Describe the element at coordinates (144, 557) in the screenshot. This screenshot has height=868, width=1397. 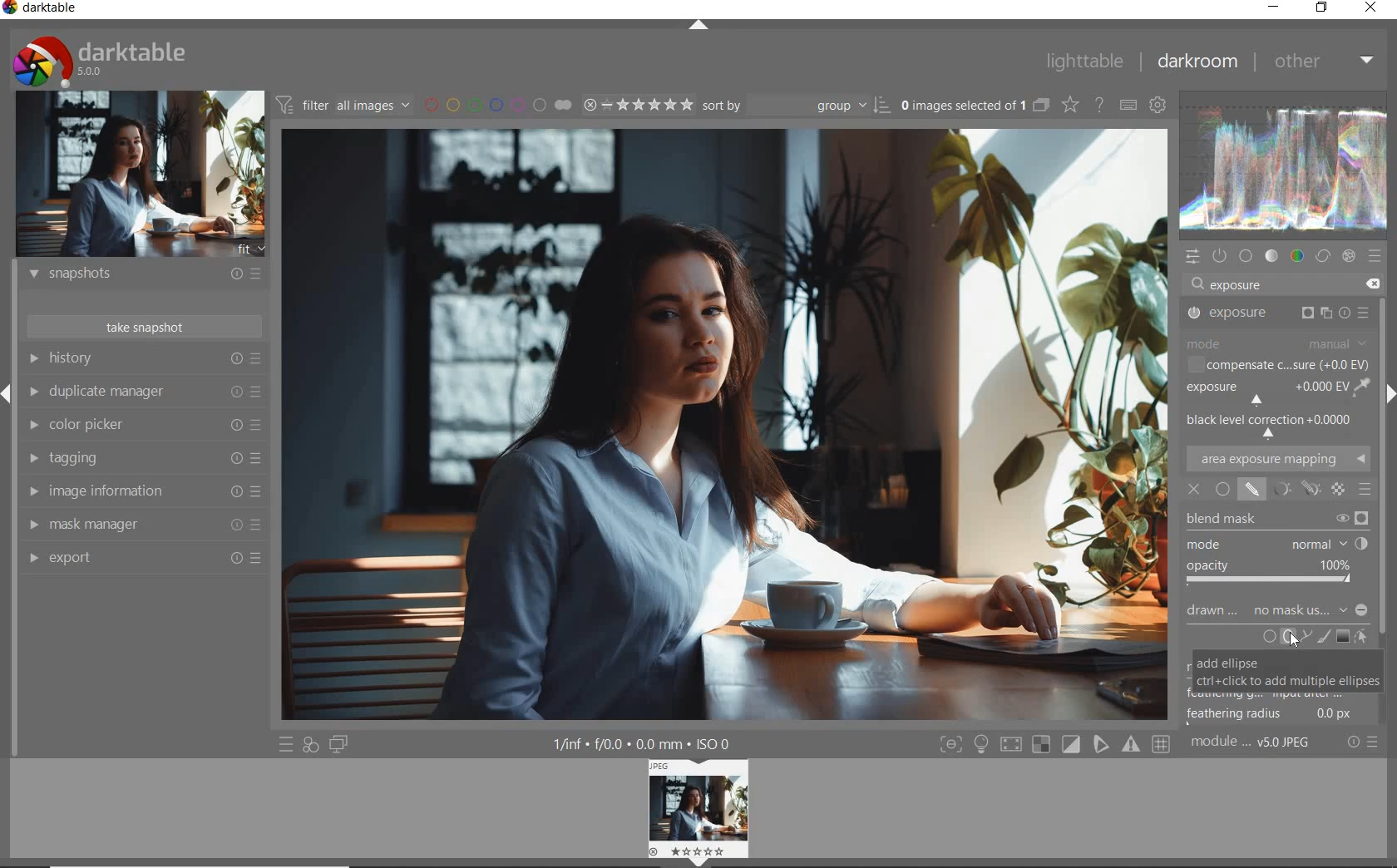
I see `export` at that location.